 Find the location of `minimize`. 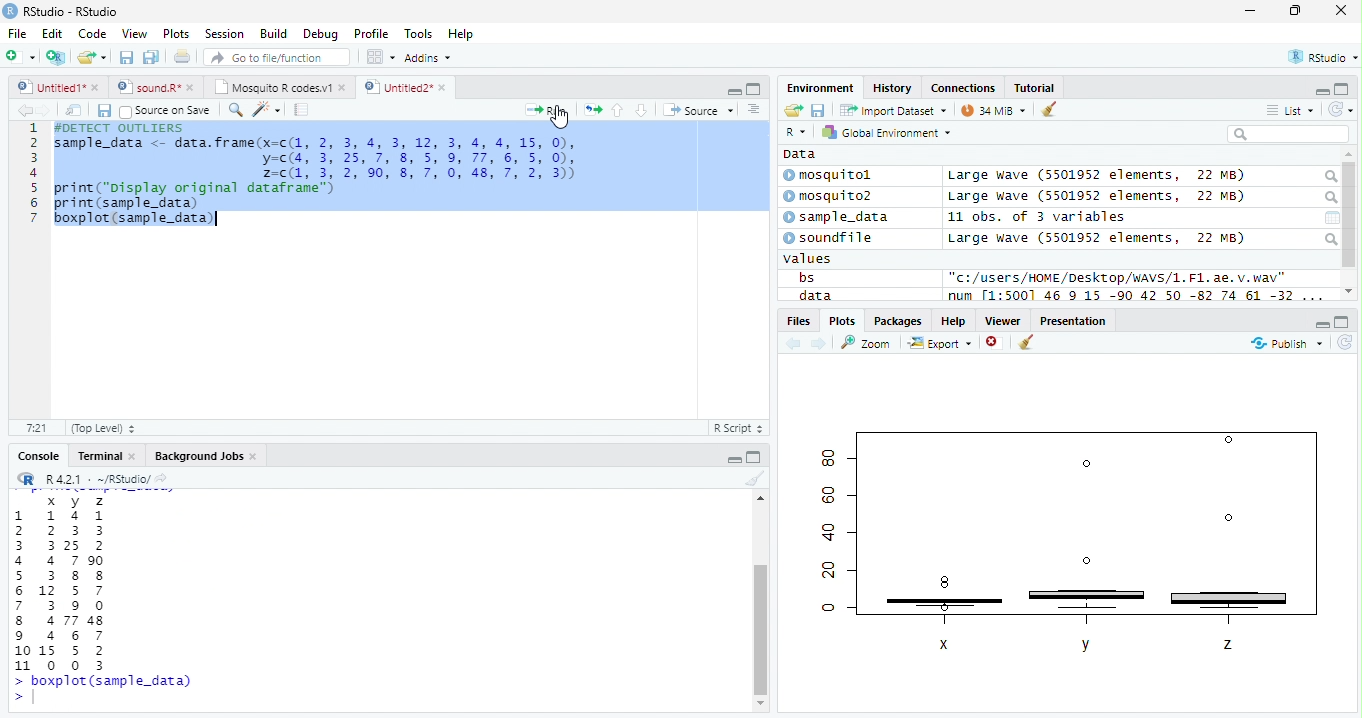

minimize is located at coordinates (1322, 323).